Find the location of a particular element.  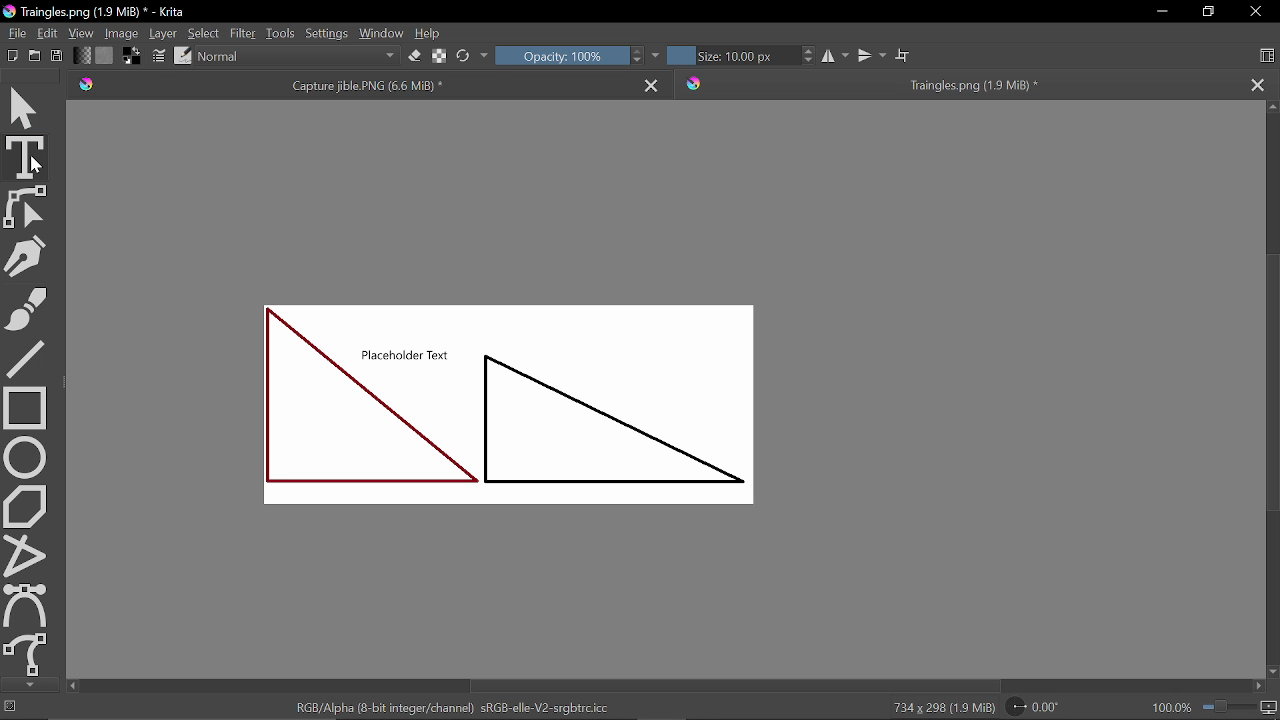

Calligraphy is located at coordinates (25, 256).